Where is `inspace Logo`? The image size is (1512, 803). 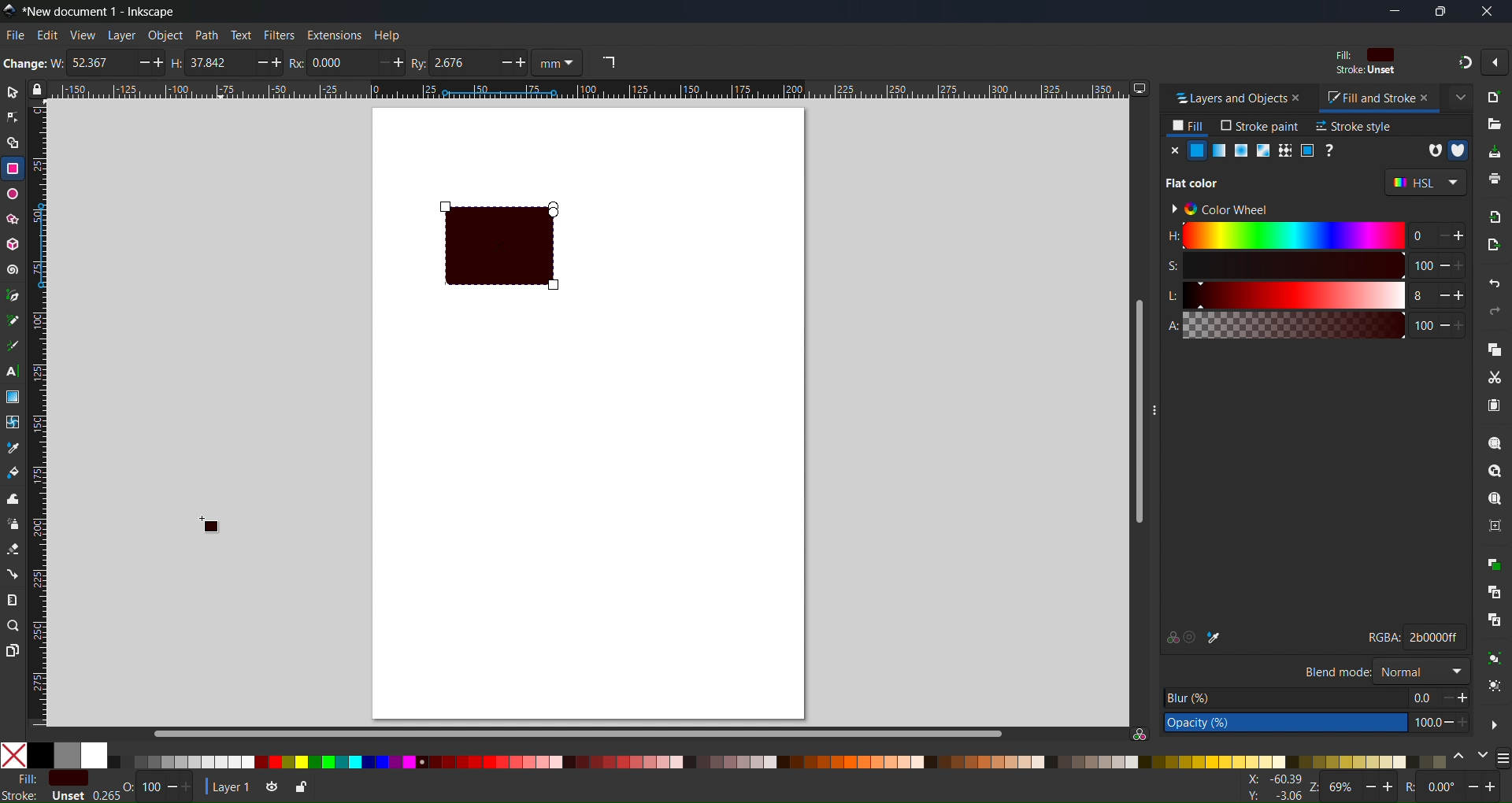 inspace Logo is located at coordinates (9, 9).